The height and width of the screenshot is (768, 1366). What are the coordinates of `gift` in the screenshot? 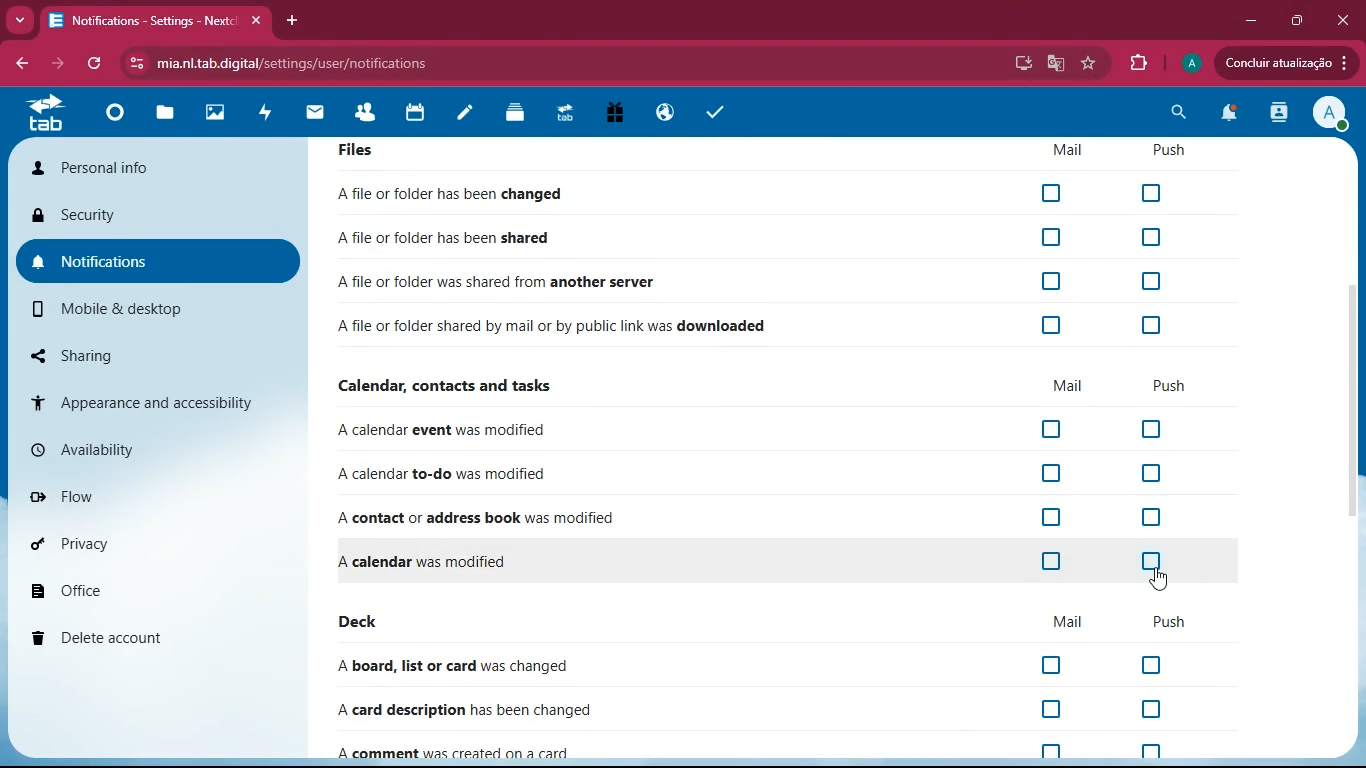 It's located at (621, 114).